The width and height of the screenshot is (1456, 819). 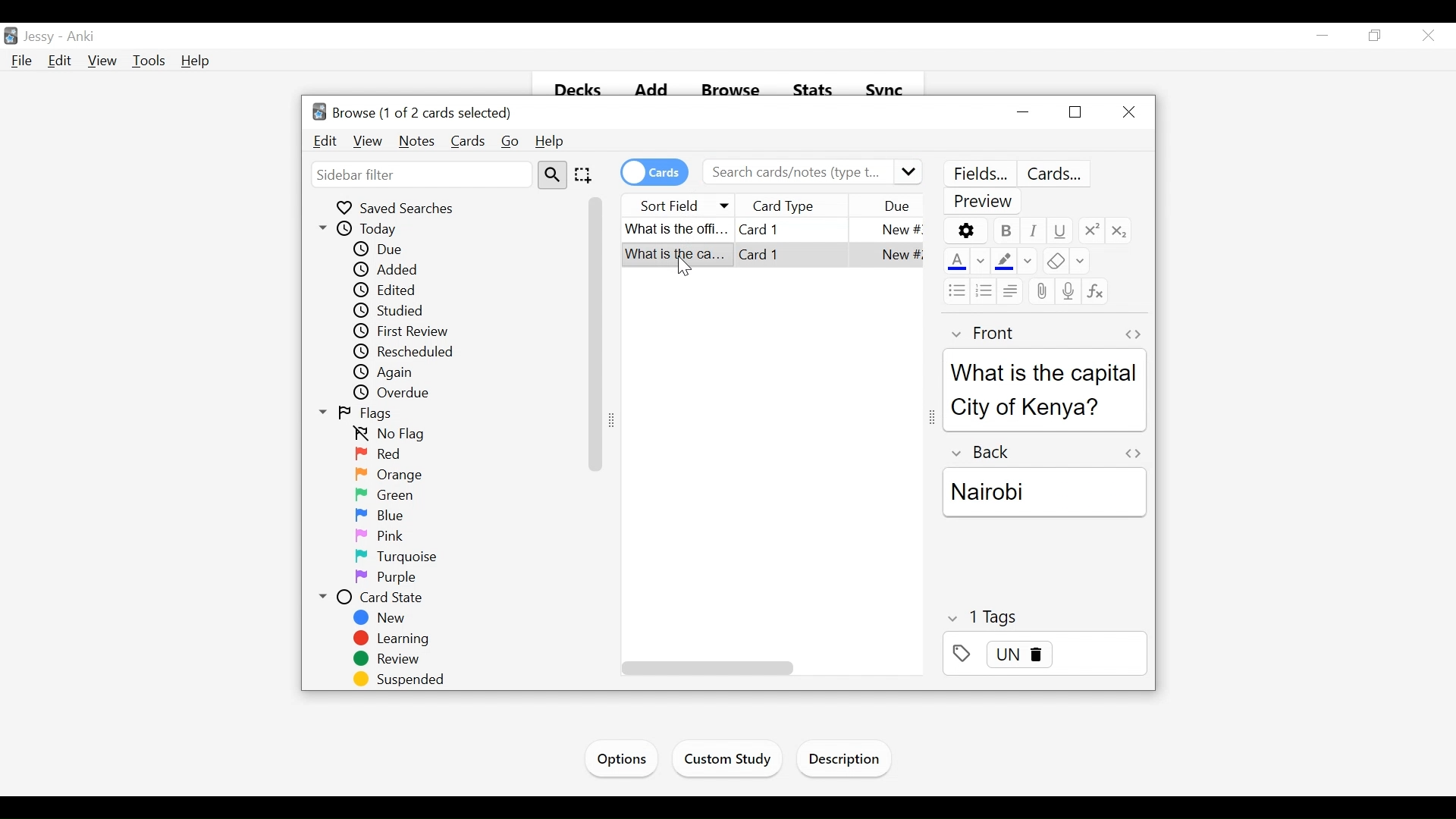 What do you see at coordinates (955, 290) in the screenshot?
I see `Unordered list` at bounding box center [955, 290].